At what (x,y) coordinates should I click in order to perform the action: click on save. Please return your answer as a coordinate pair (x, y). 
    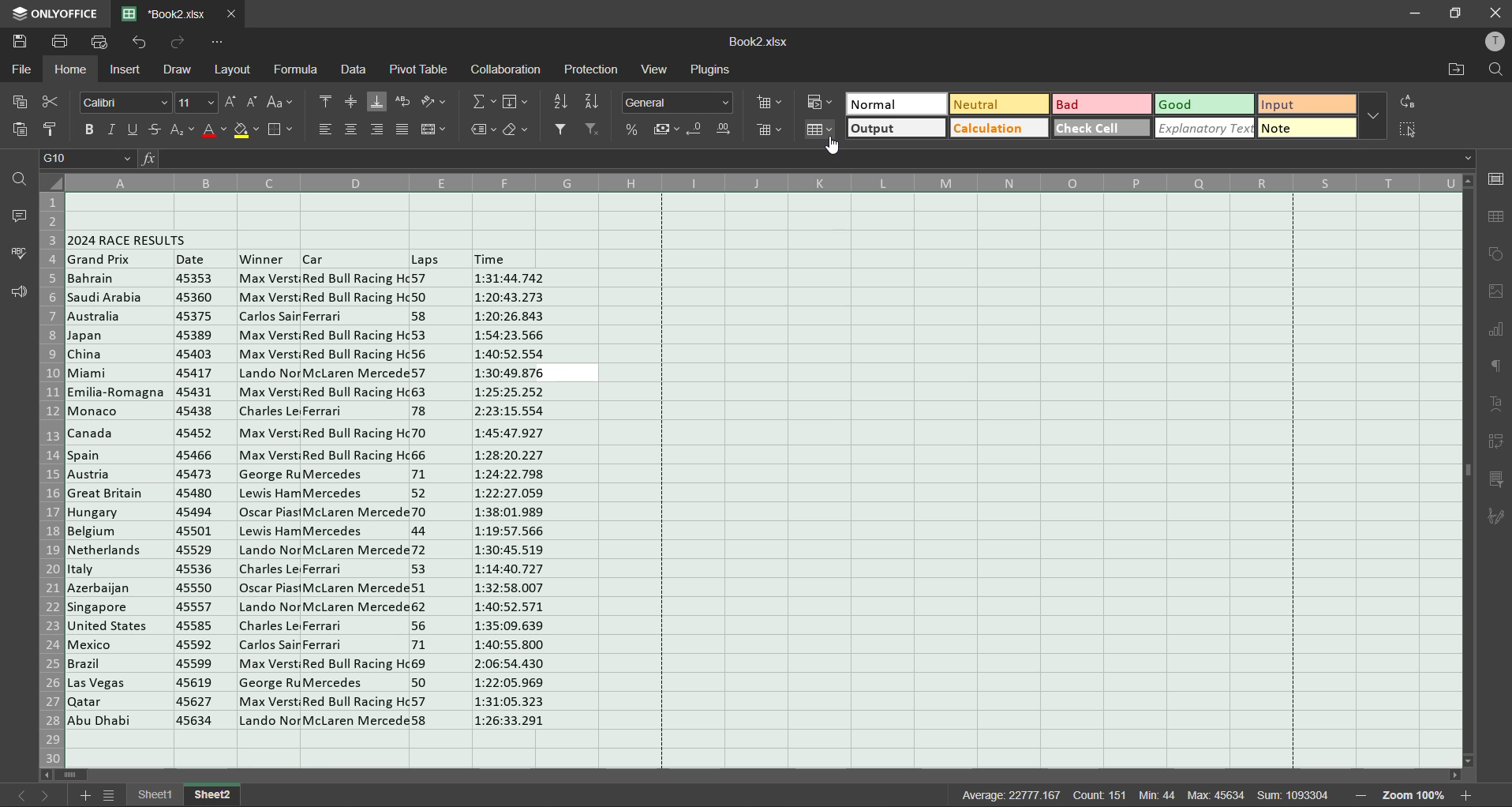
    Looking at the image, I should click on (62, 44).